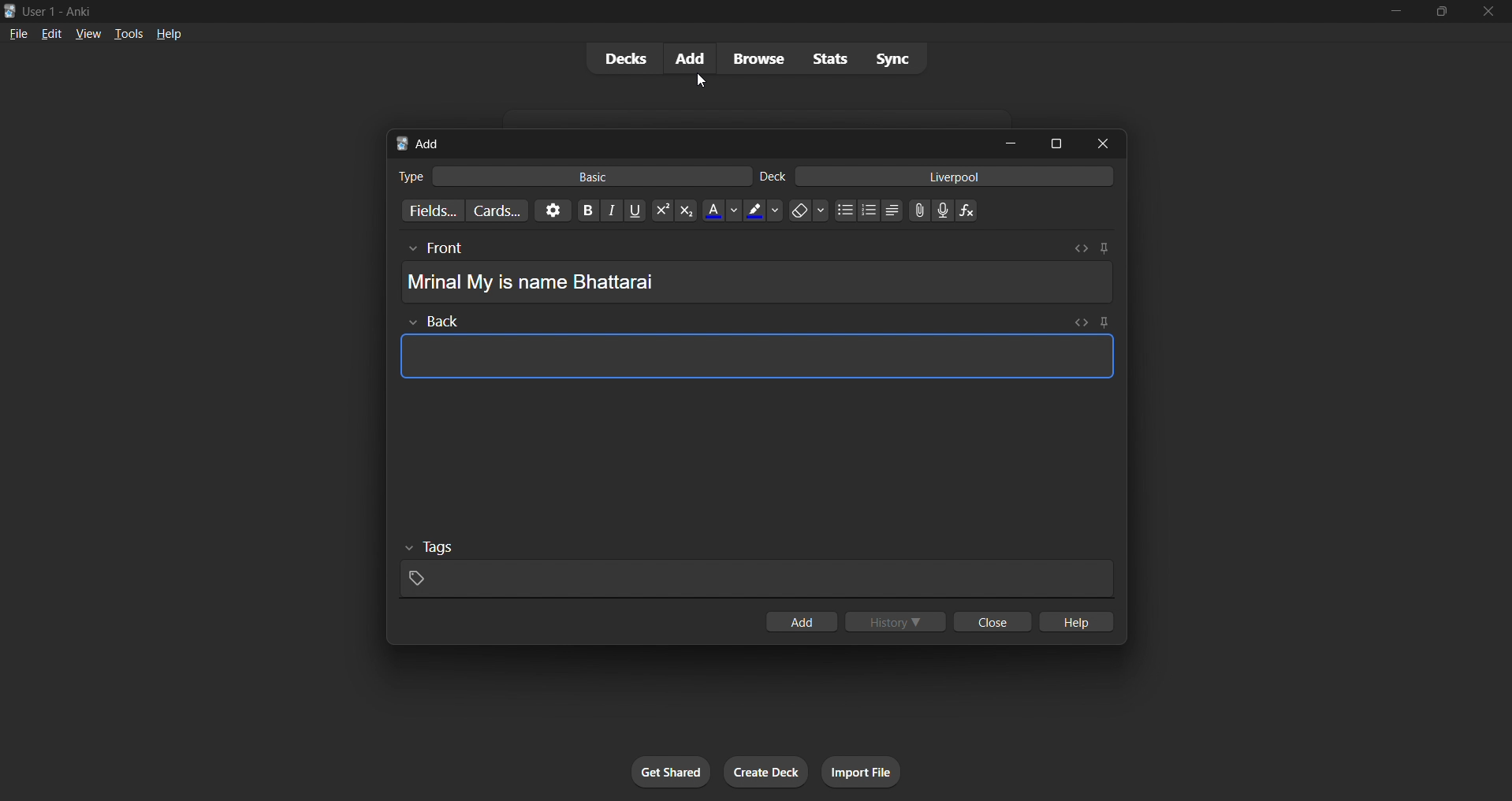 This screenshot has height=801, width=1512. I want to click on card back input field, so click(751, 353).